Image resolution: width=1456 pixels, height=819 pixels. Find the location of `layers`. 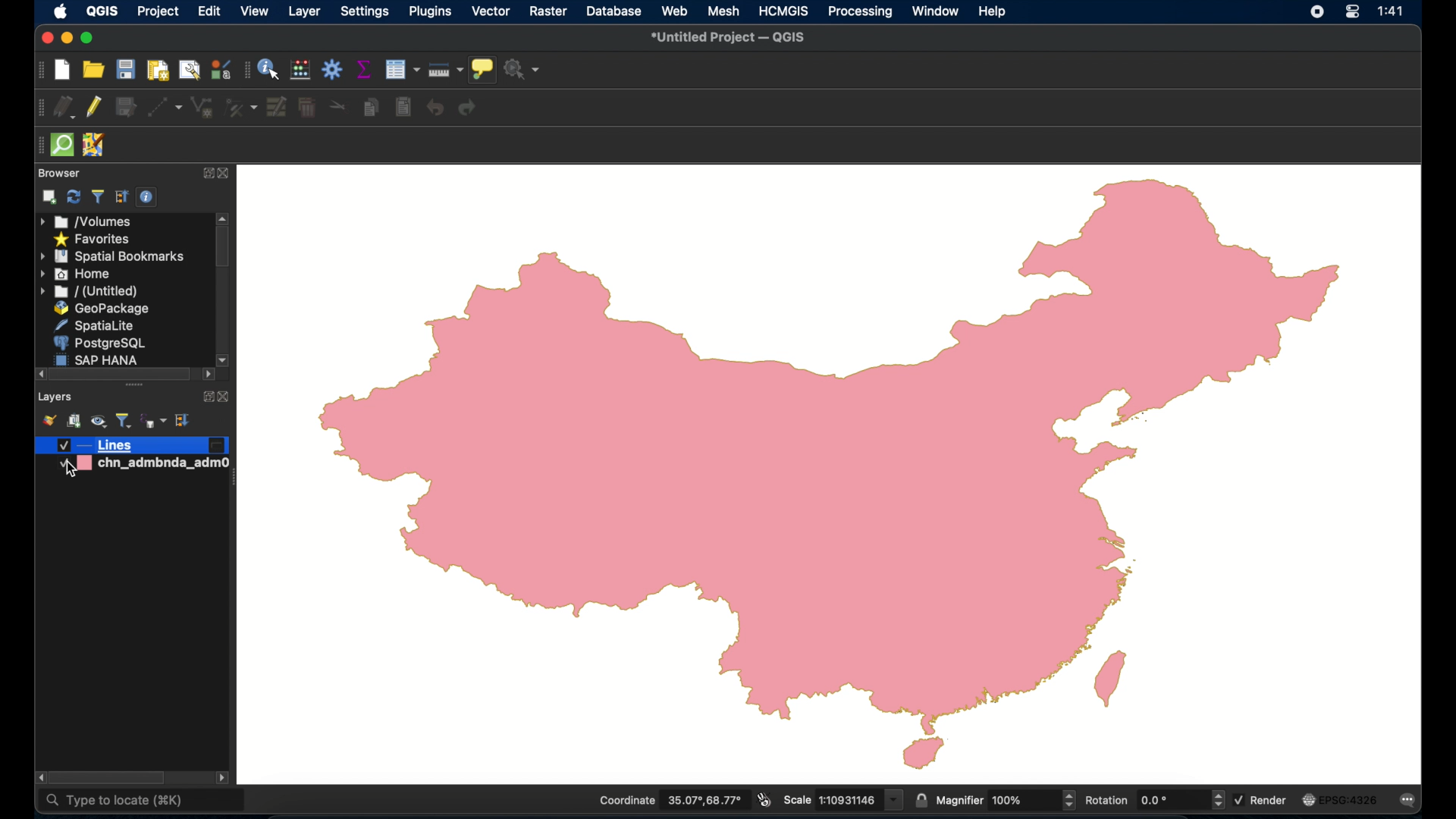

layers is located at coordinates (55, 398).